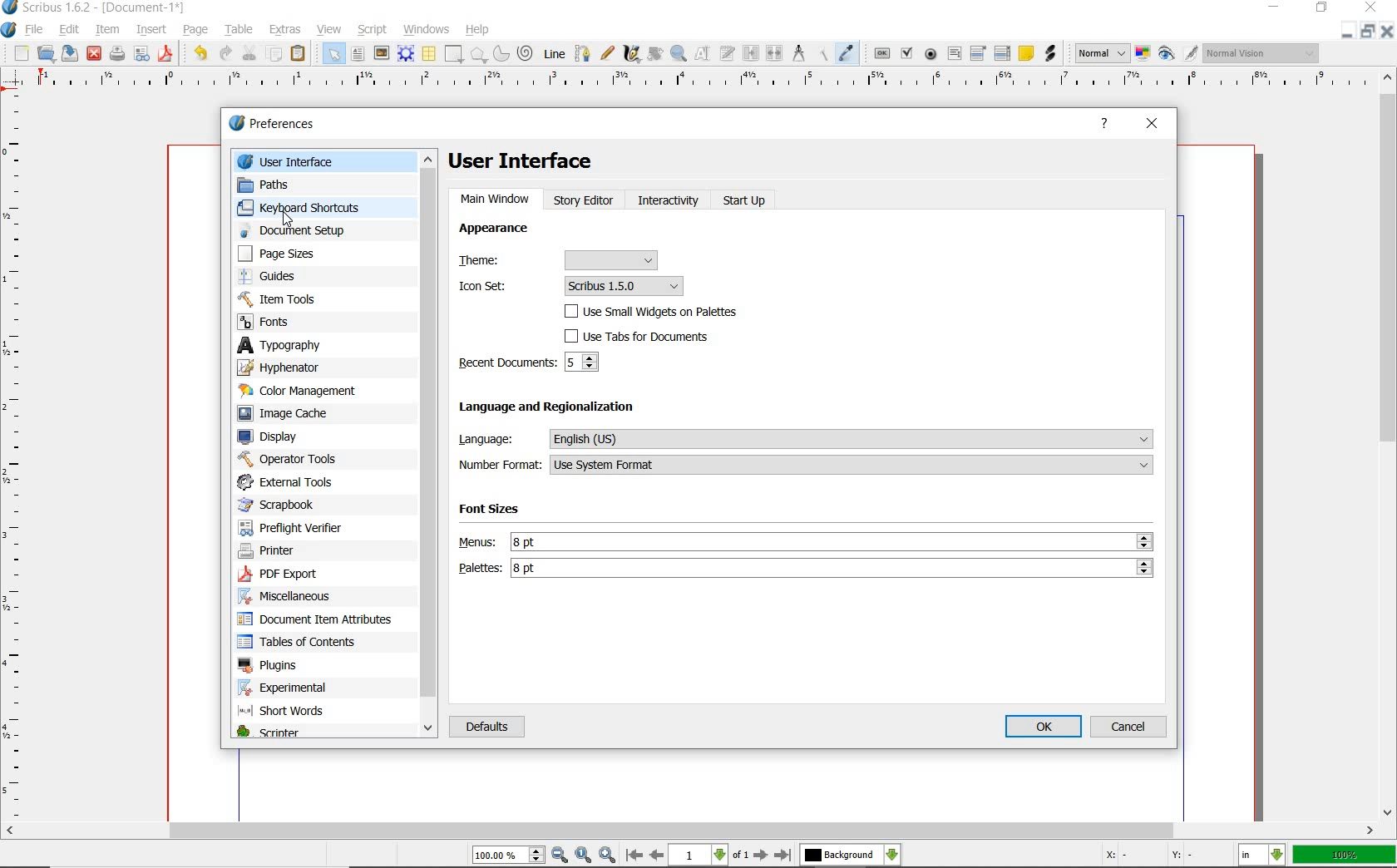 The width and height of the screenshot is (1397, 868). Describe the element at coordinates (289, 254) in the screenshot. I see `page sizes` at that location.